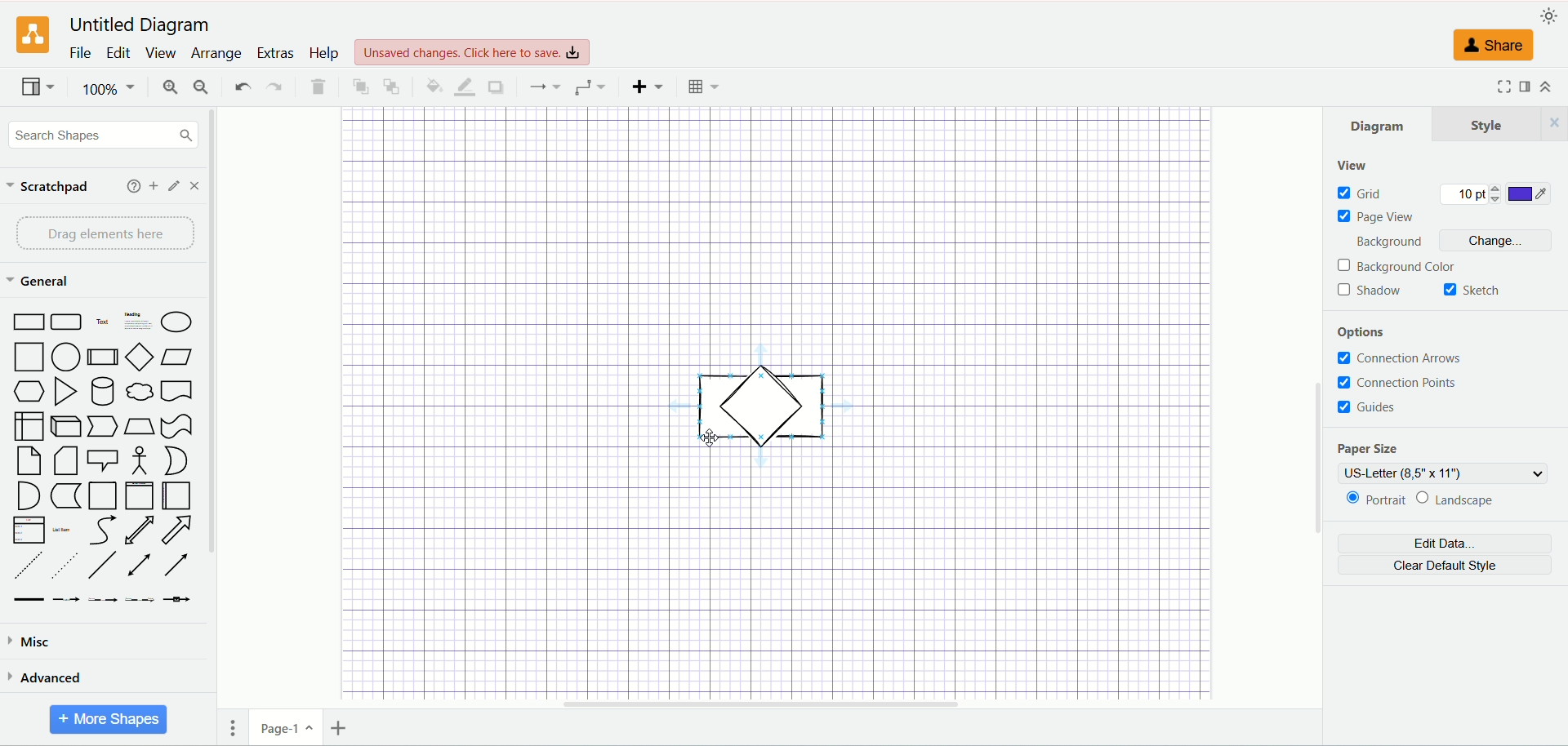 This screenshot has width=1568, height=746. What do you see at coordinates (137, 321) in the screenshot?
I see `heading` at bounding box center [137, 321].